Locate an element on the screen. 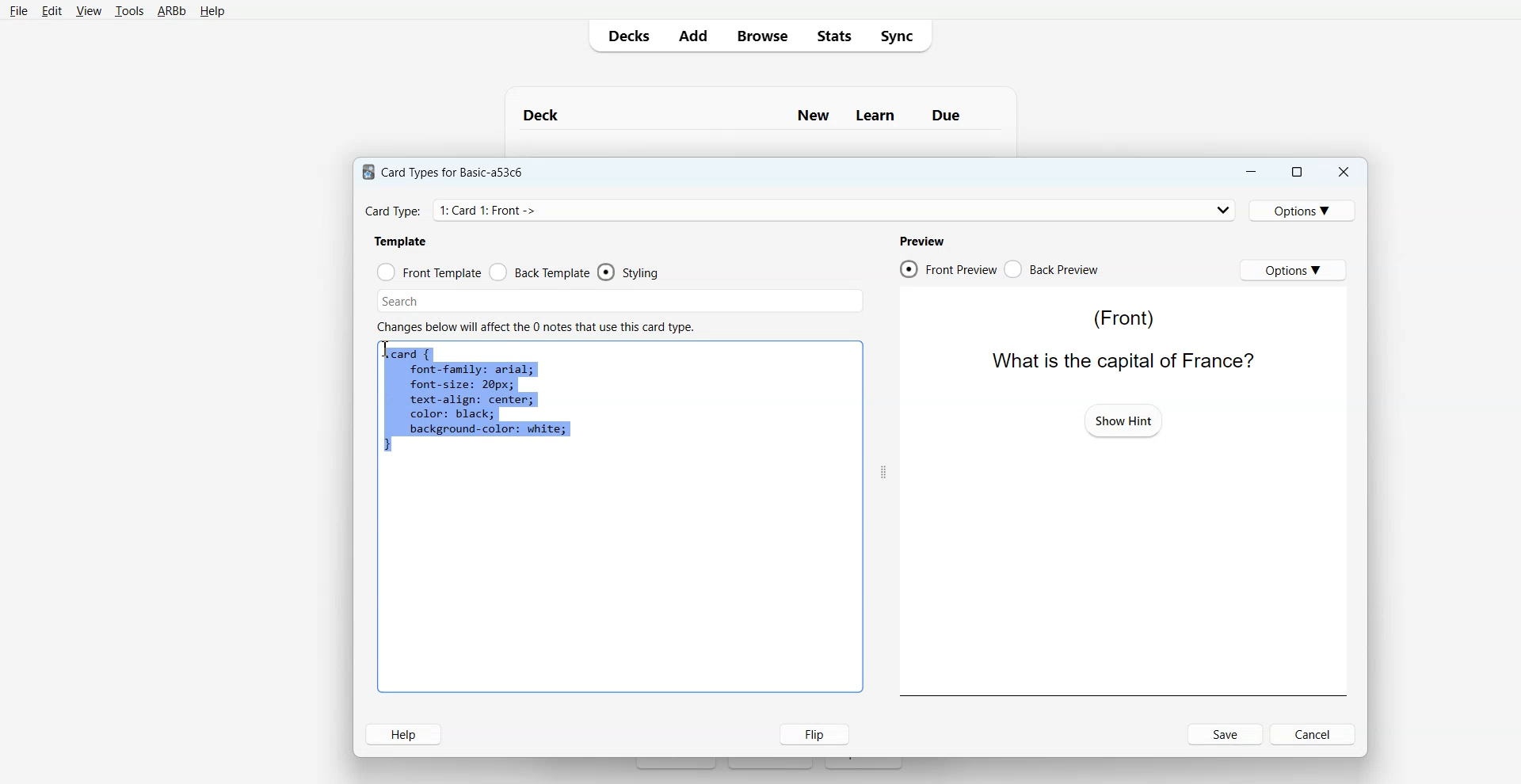 This screenshot has height=784, width=1521. Back Template is located at coordinates (539, 272).